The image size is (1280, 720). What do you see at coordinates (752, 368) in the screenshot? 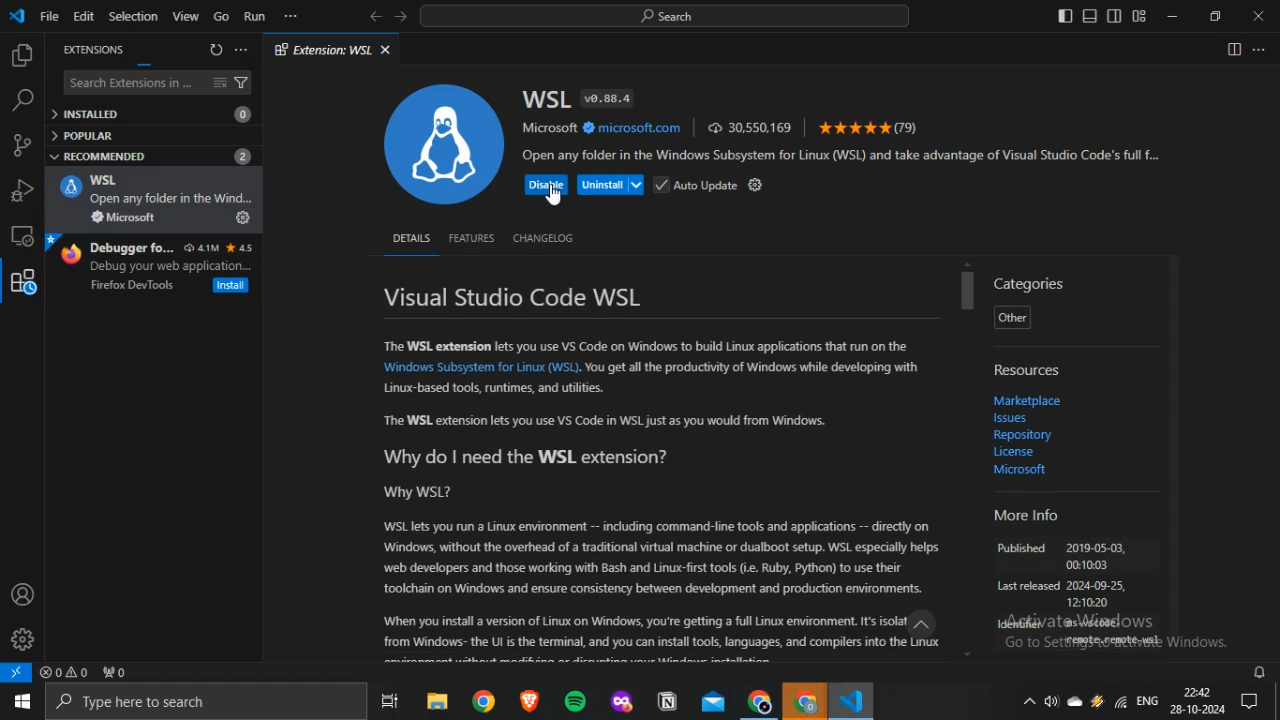
I see `You get all the productivity of Windows while developing with` at bounding box center [752, 368].